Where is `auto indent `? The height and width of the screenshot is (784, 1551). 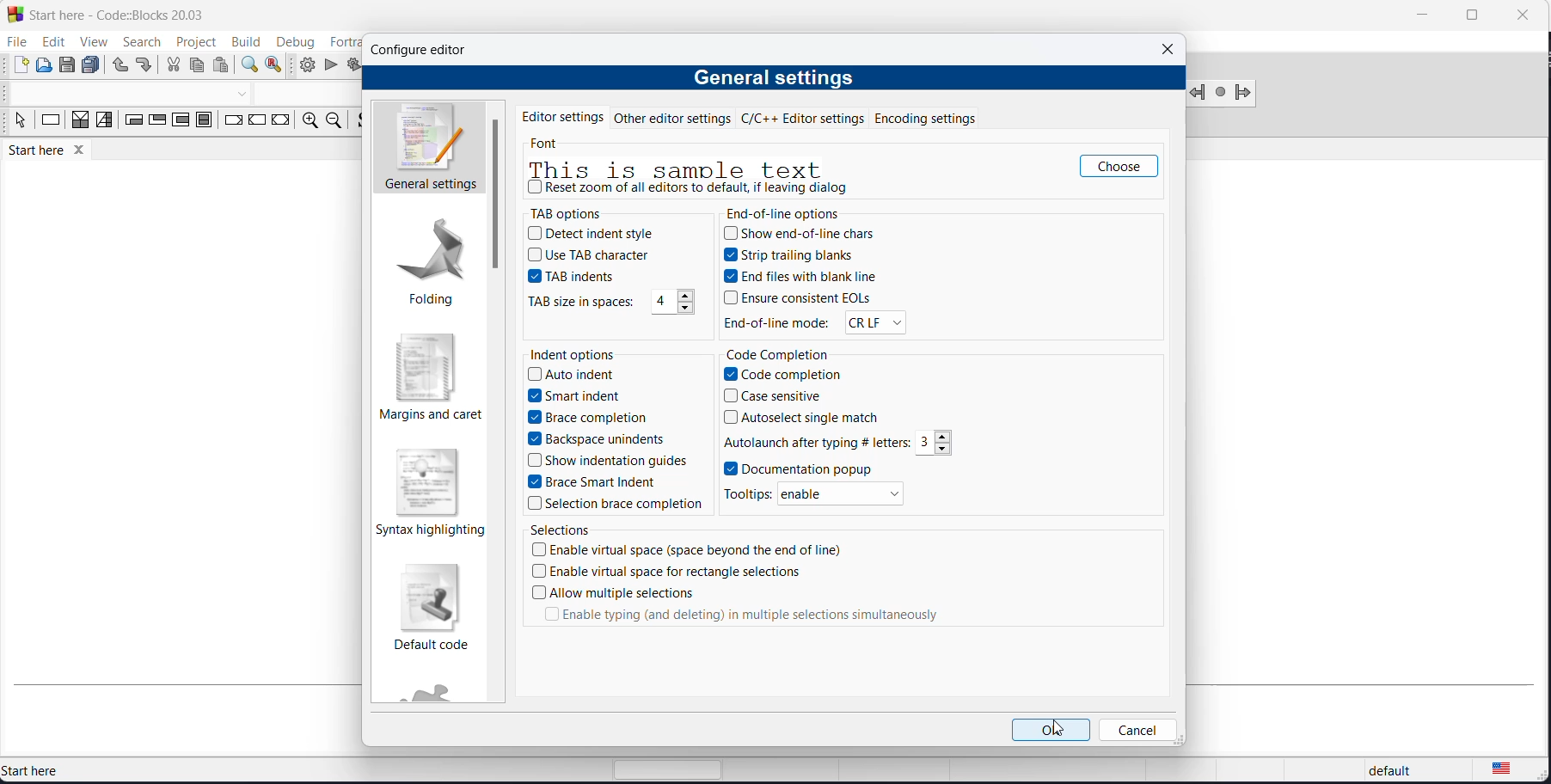
auto indent  is located at coordinates (577, 374).